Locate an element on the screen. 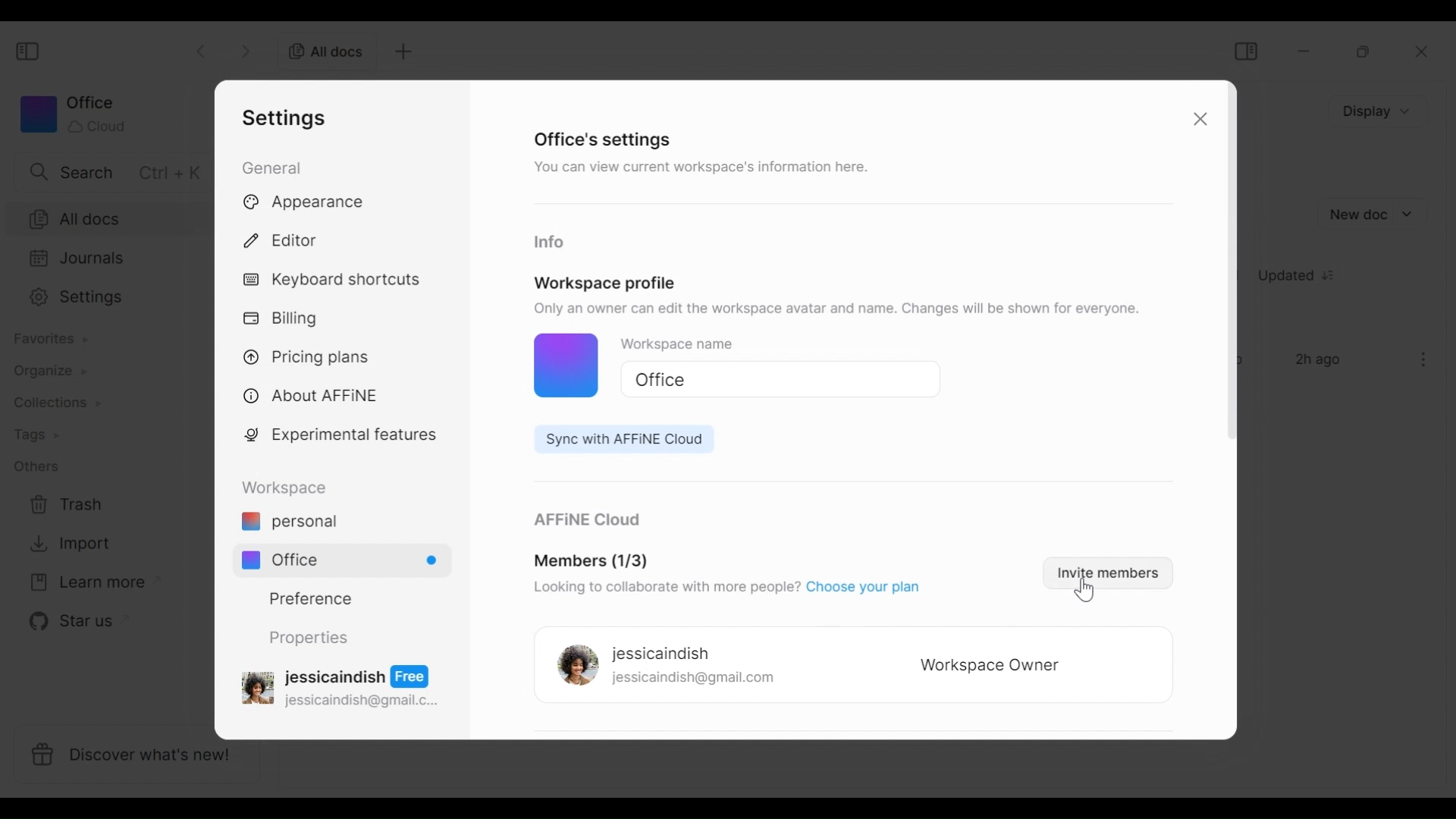  Show/Hide Sidebar is located at coordinates (30, 52).